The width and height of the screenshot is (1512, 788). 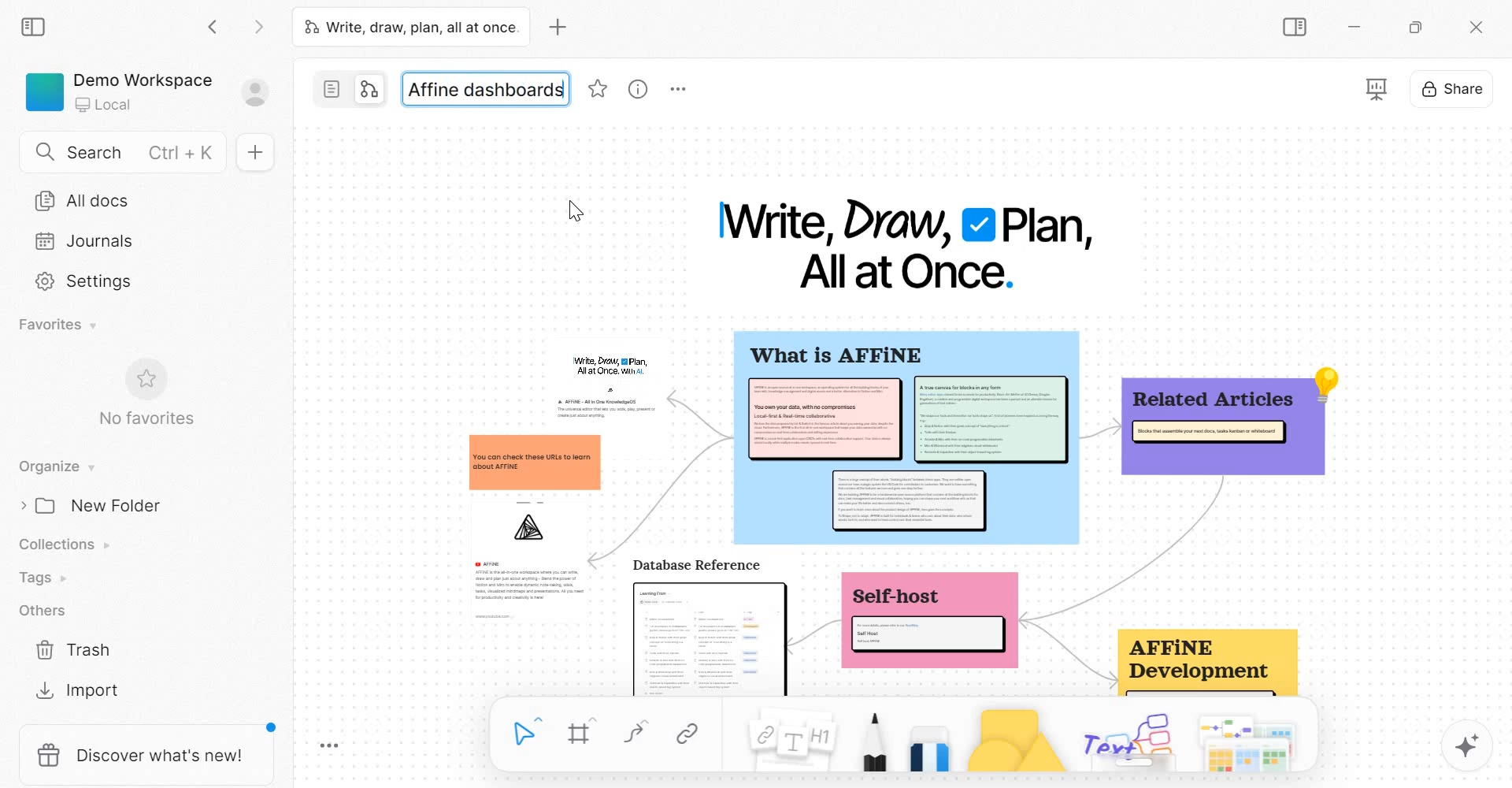 What do you see at coordinates (154, 91) in the screenshot?
I see `Demo Workspace` at bounding box center [154, 91].